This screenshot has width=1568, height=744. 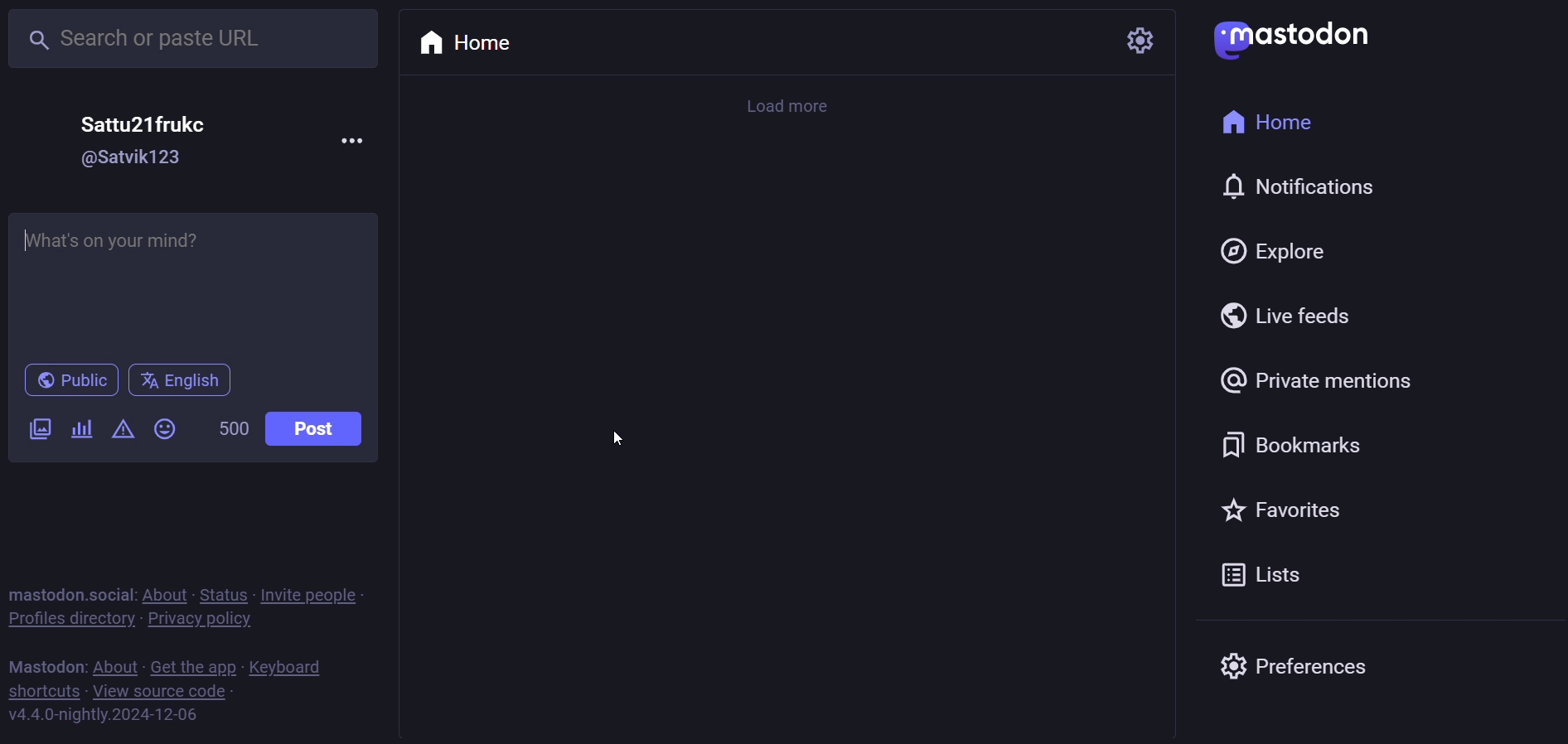 I want to click on mastodon, so click(x=46, y=665).